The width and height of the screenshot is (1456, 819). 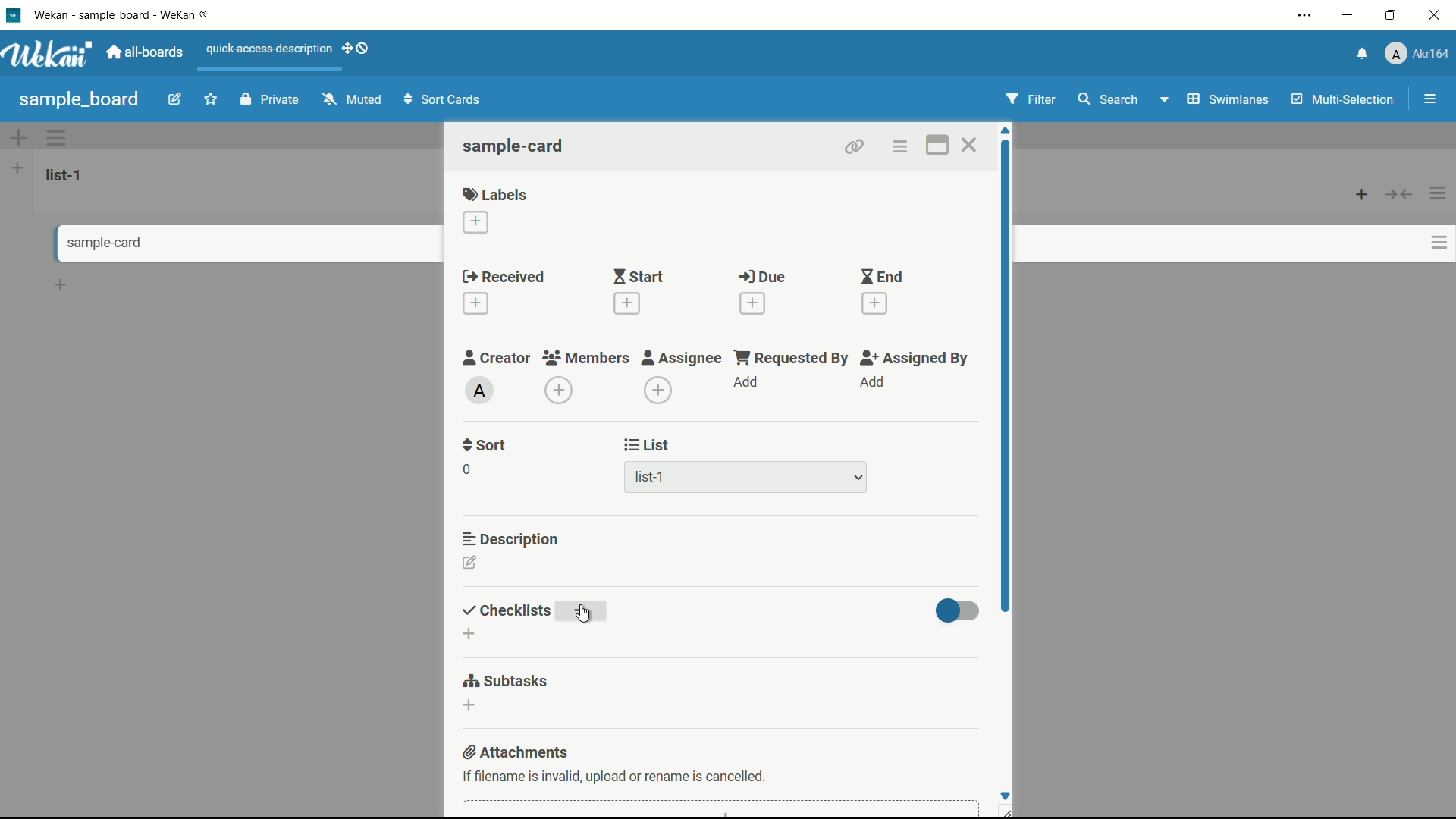 What do you see at coordinates (477, 223) in the screenshot?
I see `add label` at bounding box center [477, 223].